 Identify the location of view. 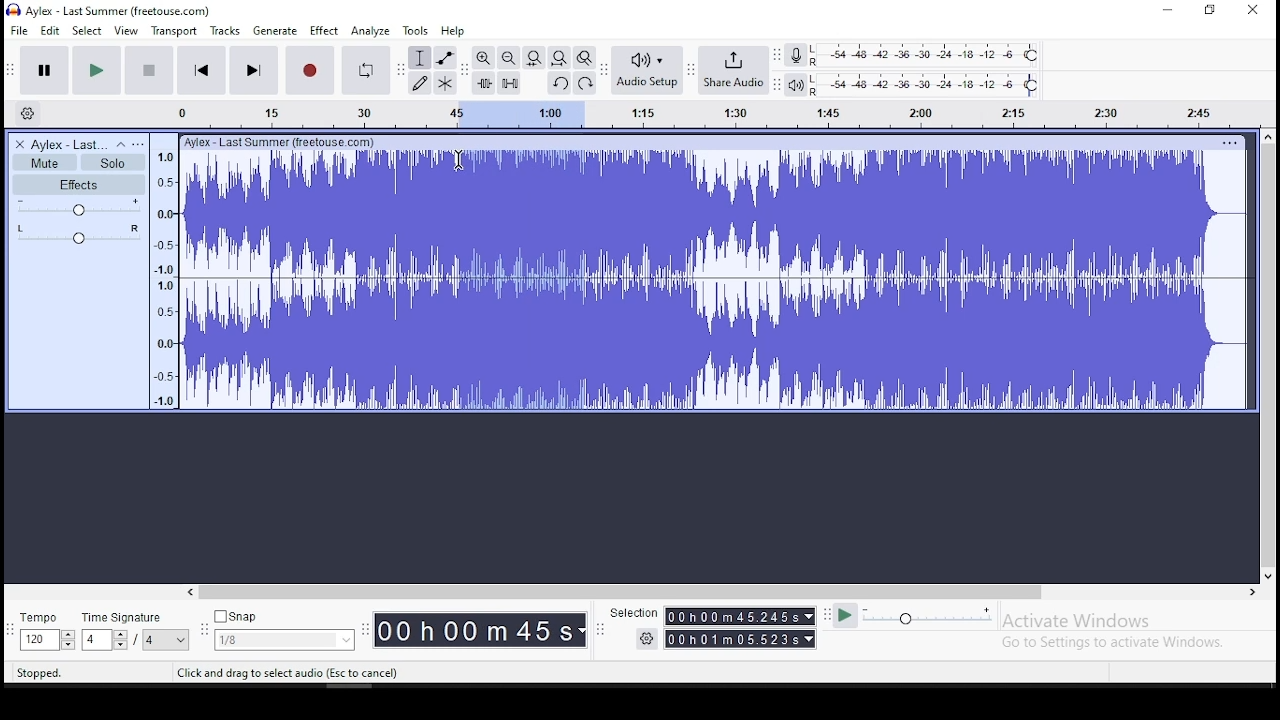
(127, 31).